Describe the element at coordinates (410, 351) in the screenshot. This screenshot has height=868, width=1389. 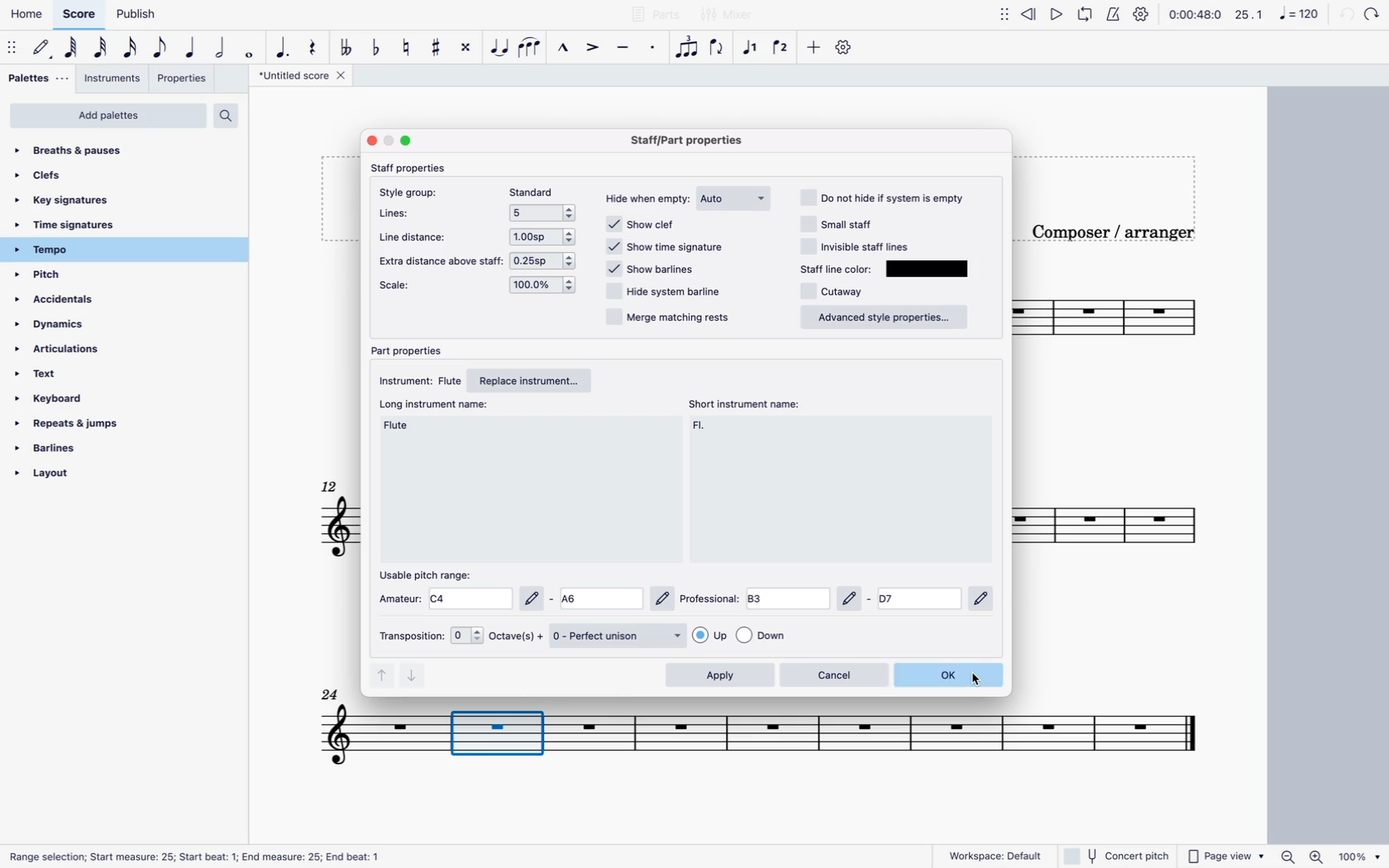
I see `part properties` at that location.